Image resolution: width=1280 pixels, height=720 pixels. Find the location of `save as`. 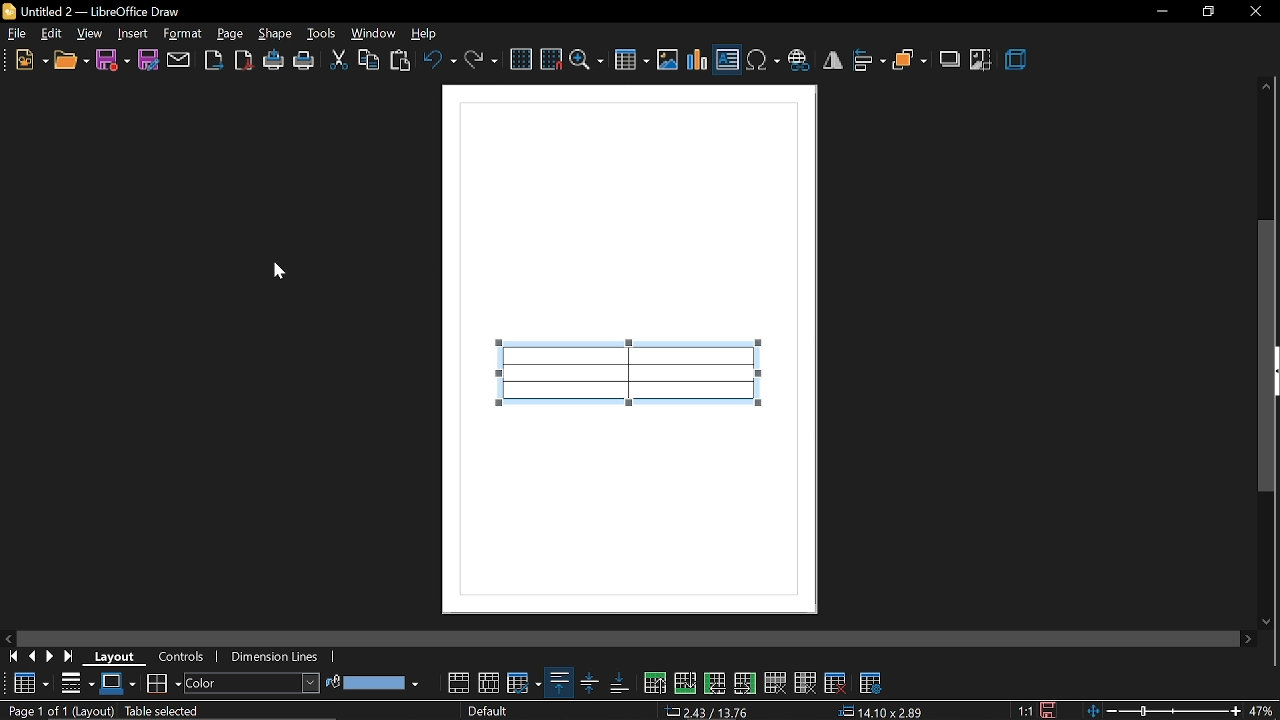

save as is located at coordinates (147, 59).